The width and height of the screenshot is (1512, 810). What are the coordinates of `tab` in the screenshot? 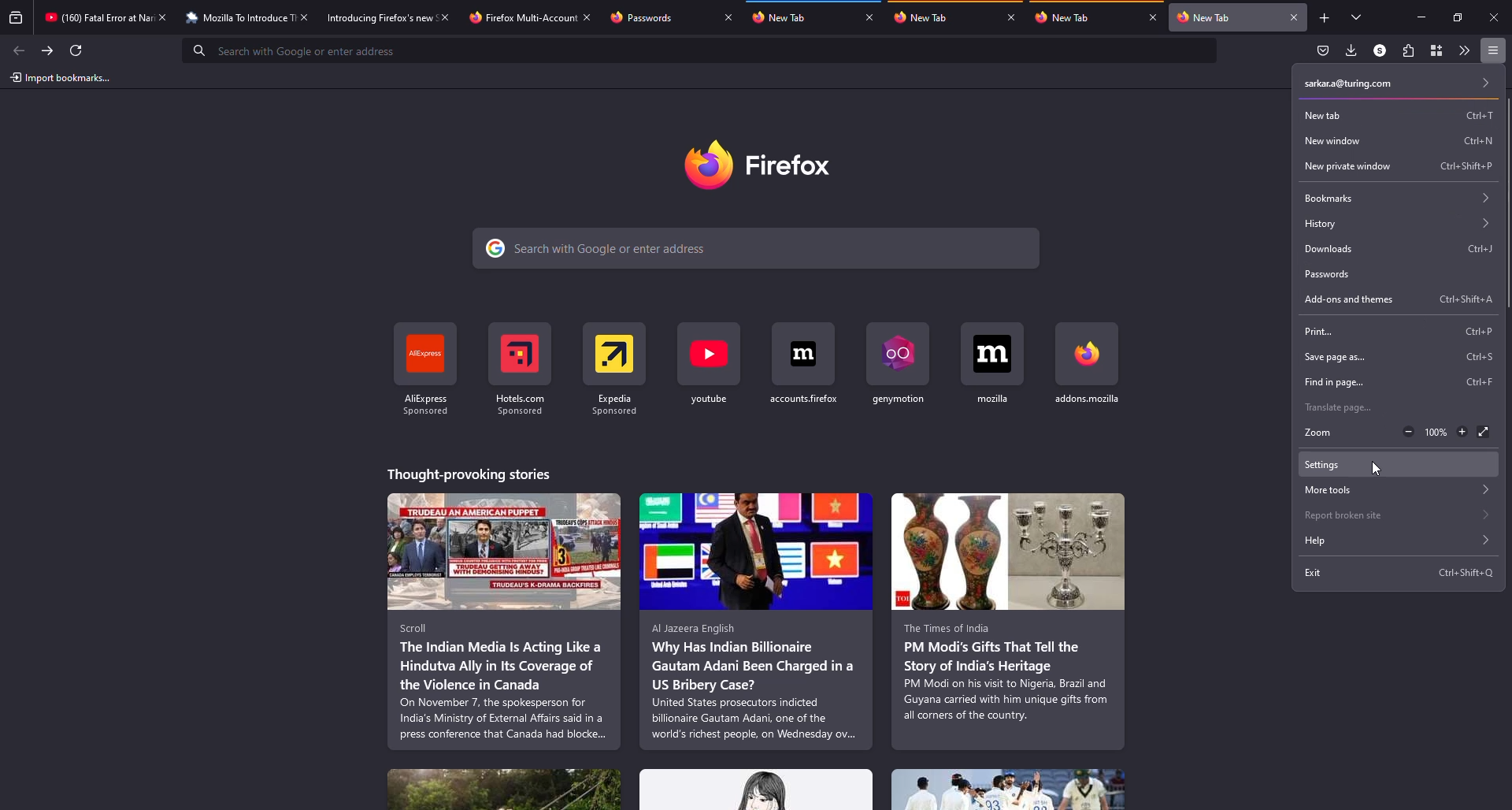 It's located at (780, 17).